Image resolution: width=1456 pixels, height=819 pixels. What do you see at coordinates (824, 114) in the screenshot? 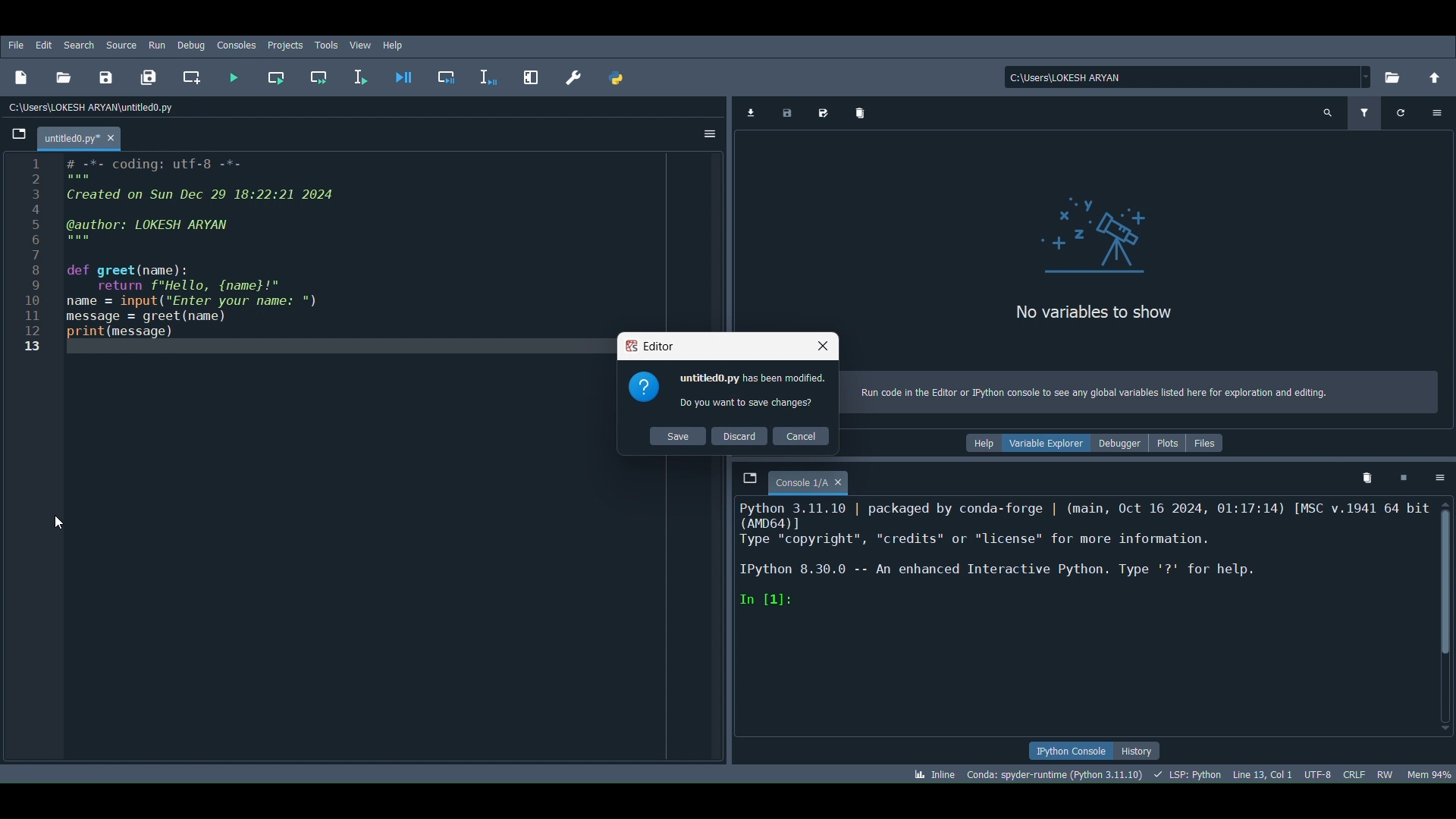
I see `Save data as` at bounding box center [824, 114].